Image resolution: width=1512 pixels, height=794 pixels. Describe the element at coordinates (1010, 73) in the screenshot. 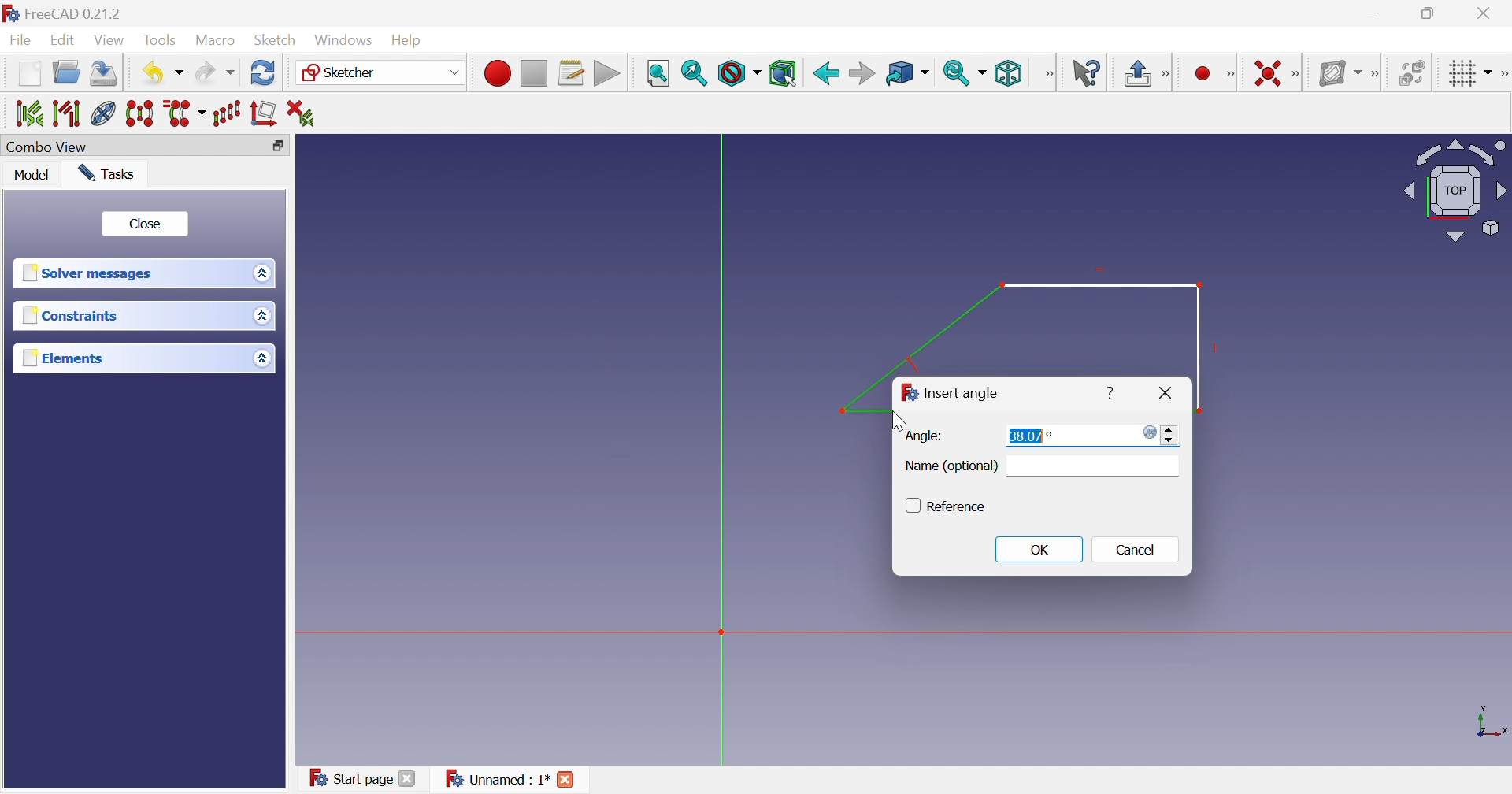

I see `Isometric` at that location.